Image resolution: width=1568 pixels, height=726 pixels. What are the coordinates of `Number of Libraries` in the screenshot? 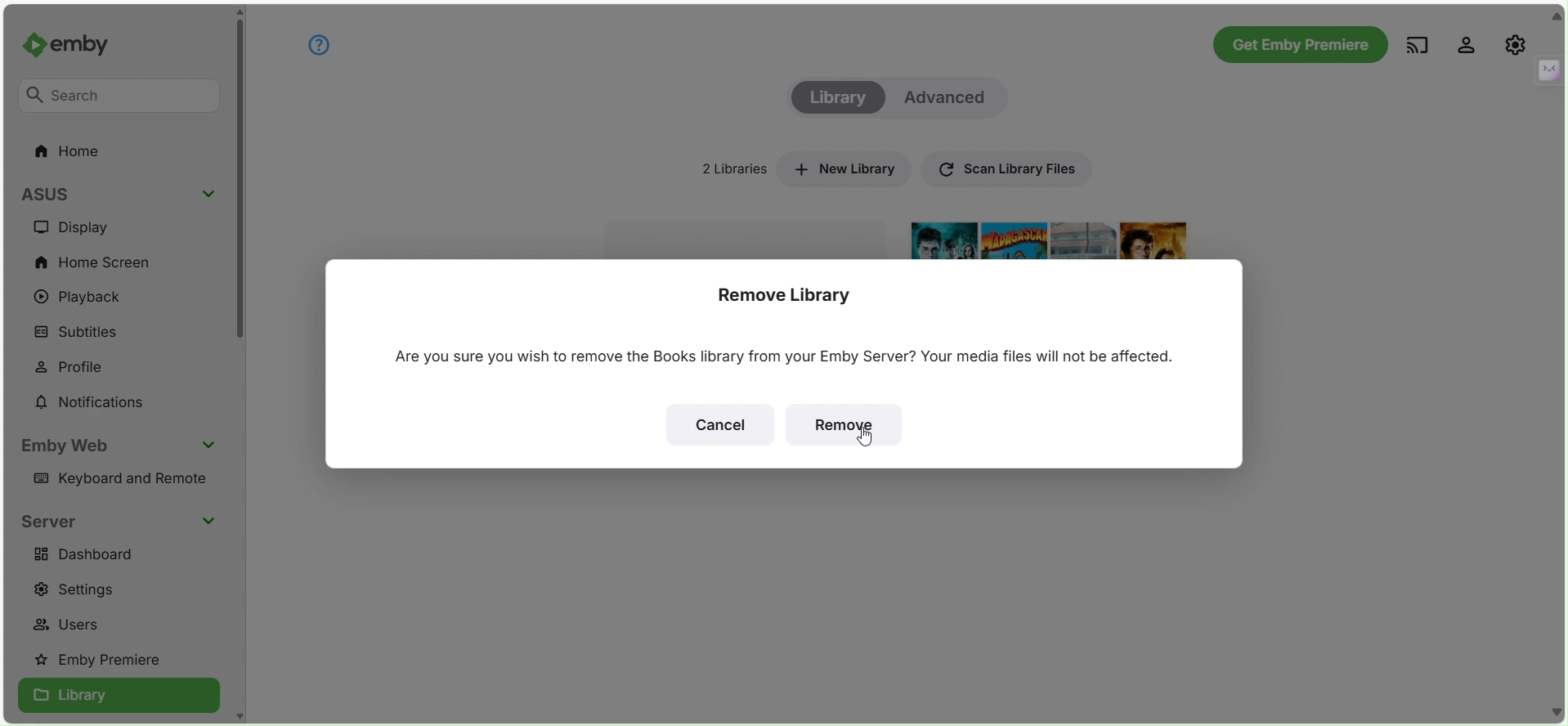 It's located at (728, 168).